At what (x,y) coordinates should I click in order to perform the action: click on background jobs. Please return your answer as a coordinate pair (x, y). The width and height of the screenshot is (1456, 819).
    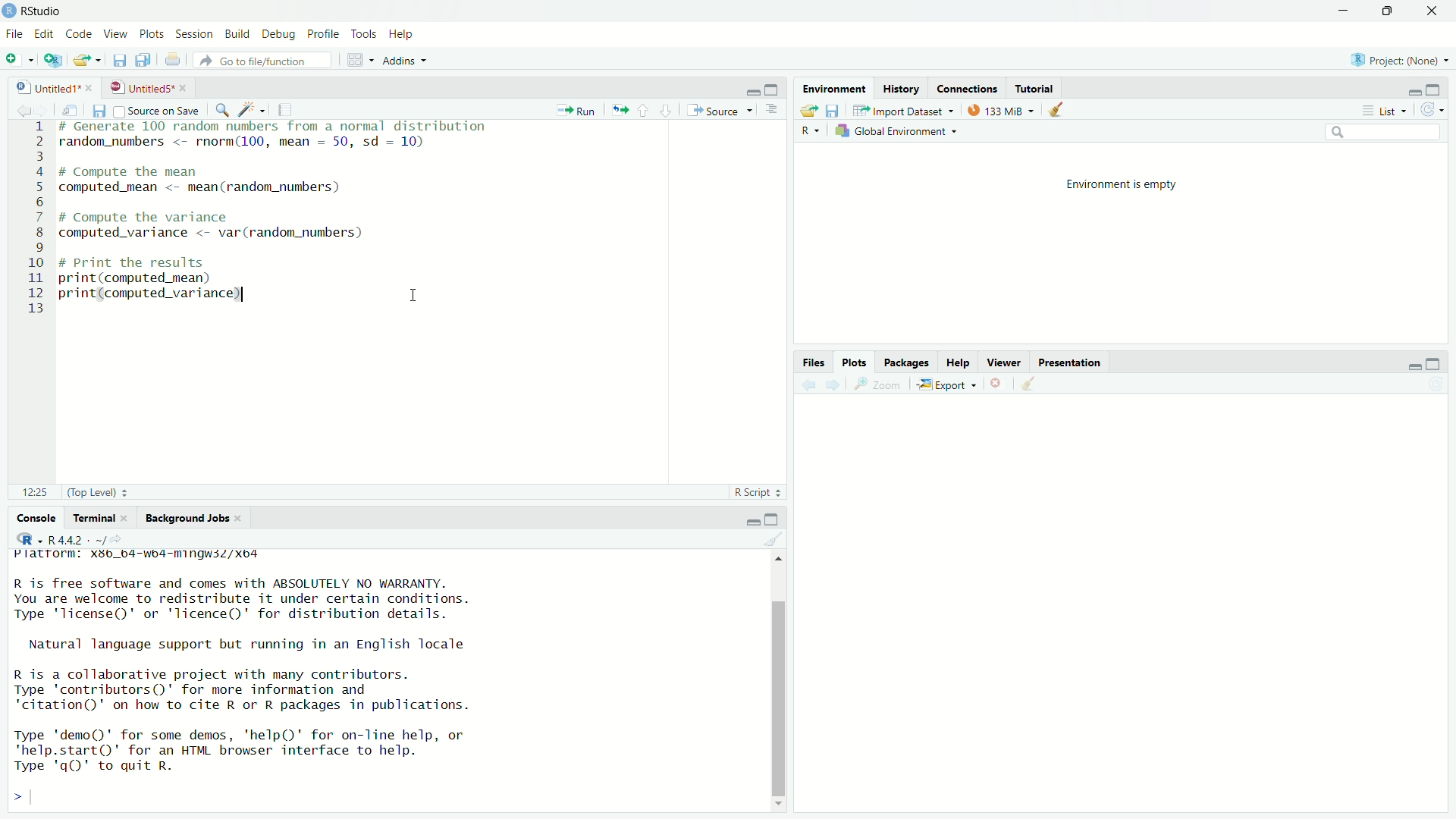
    Looking at the image, I should click on (188, 516).